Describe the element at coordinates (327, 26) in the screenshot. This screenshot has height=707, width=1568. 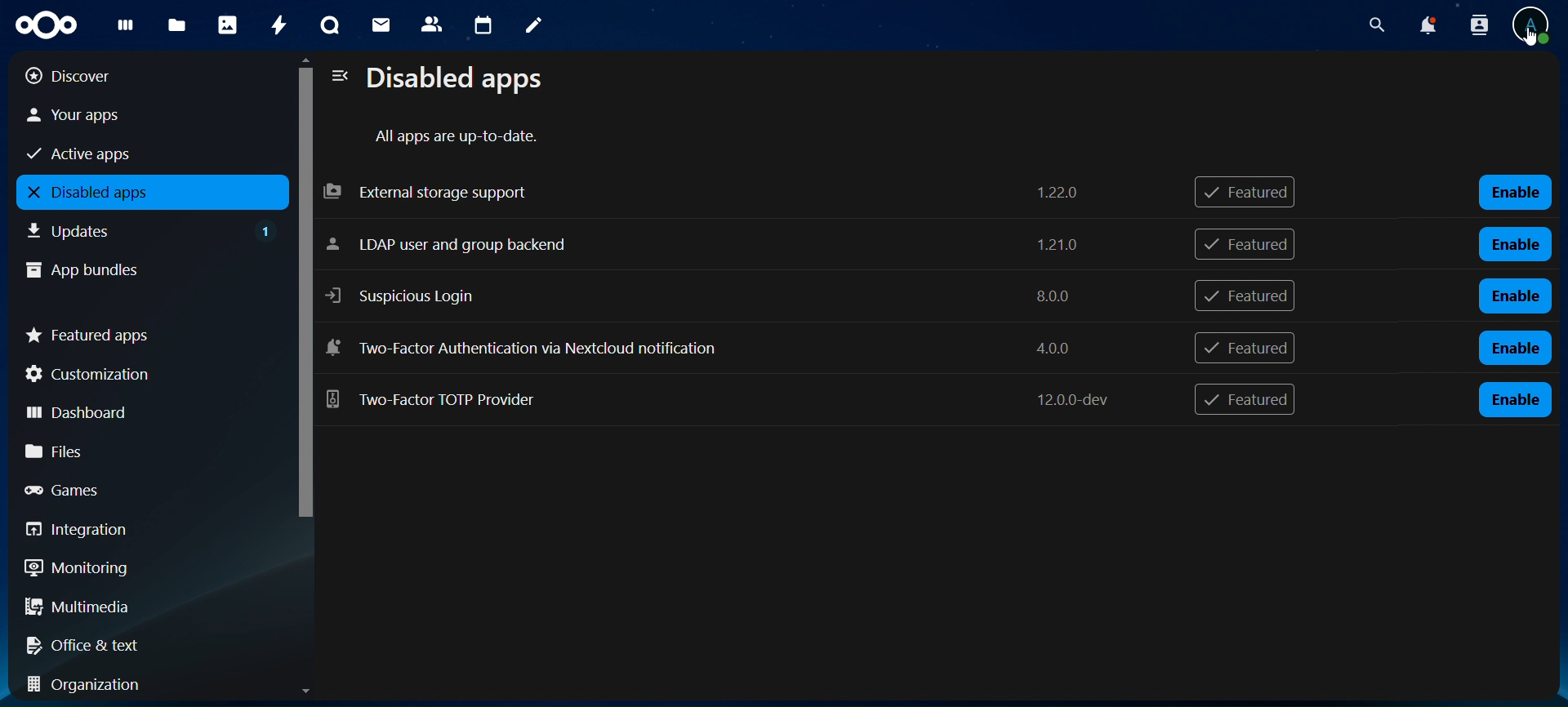
I see `talk` at that location.